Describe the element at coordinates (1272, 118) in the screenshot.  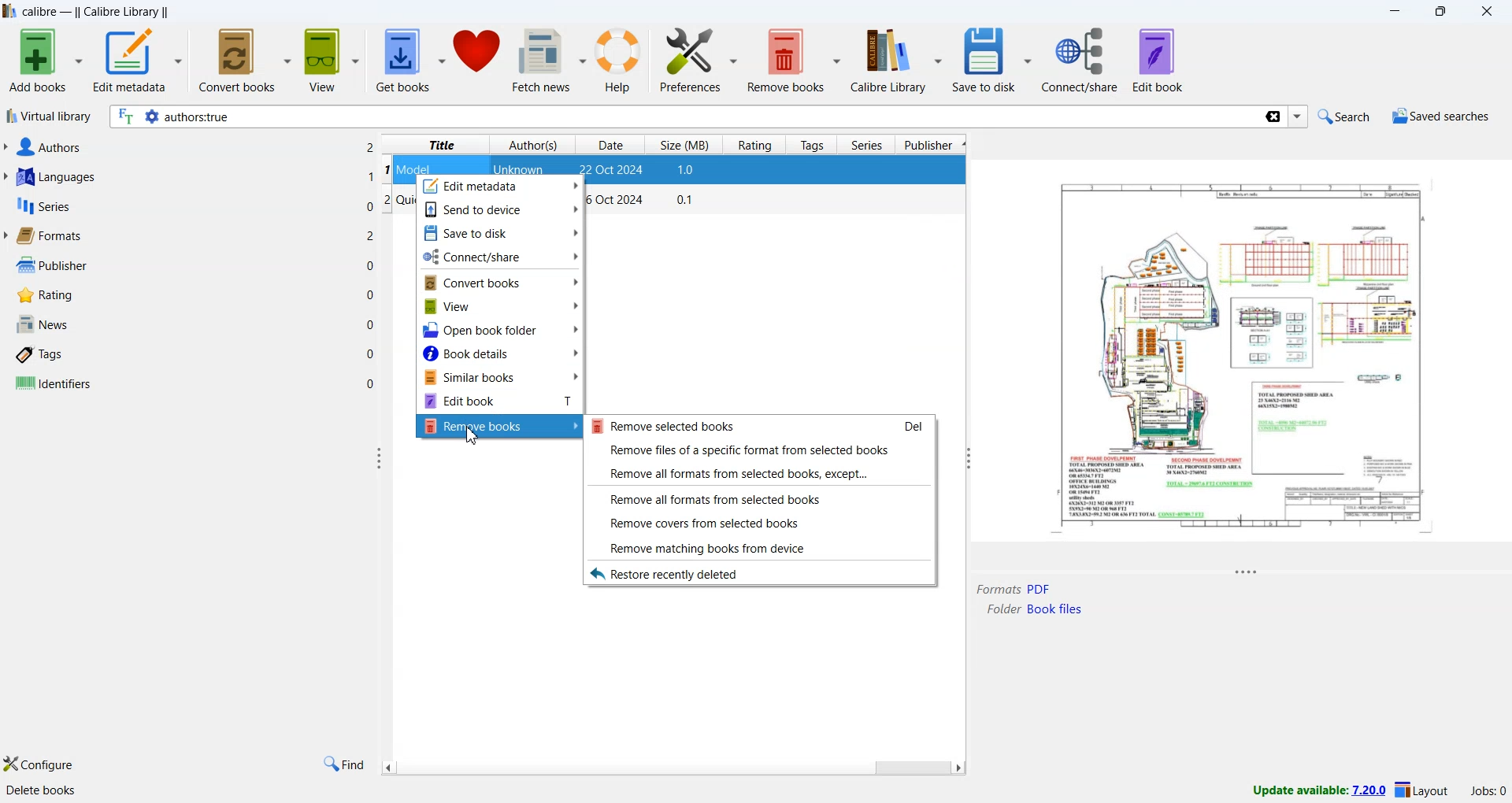
I see `clear search` at that location.